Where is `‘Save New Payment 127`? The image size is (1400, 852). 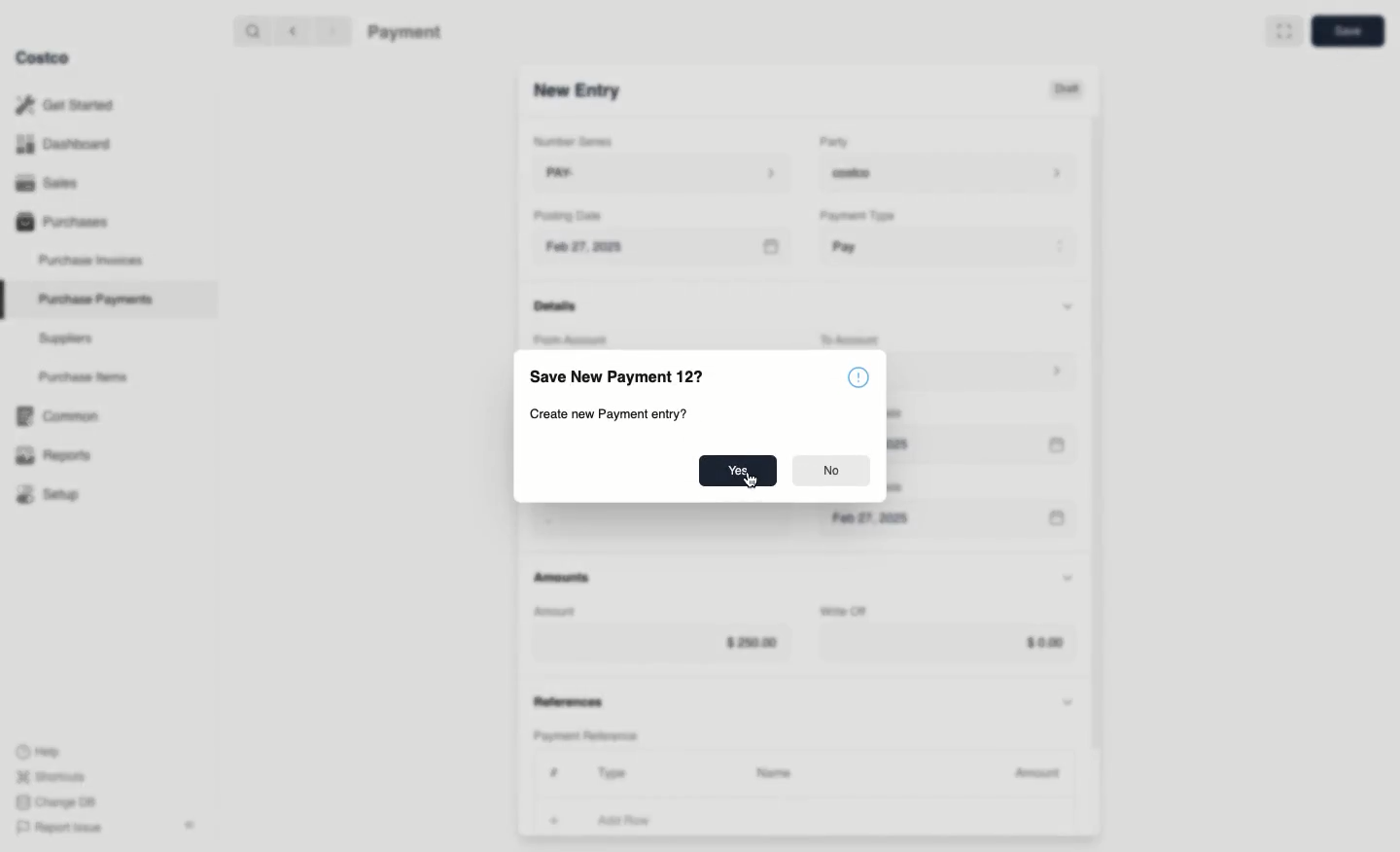 ‘Save New Payment 127 is located at coordinates (619, 379).